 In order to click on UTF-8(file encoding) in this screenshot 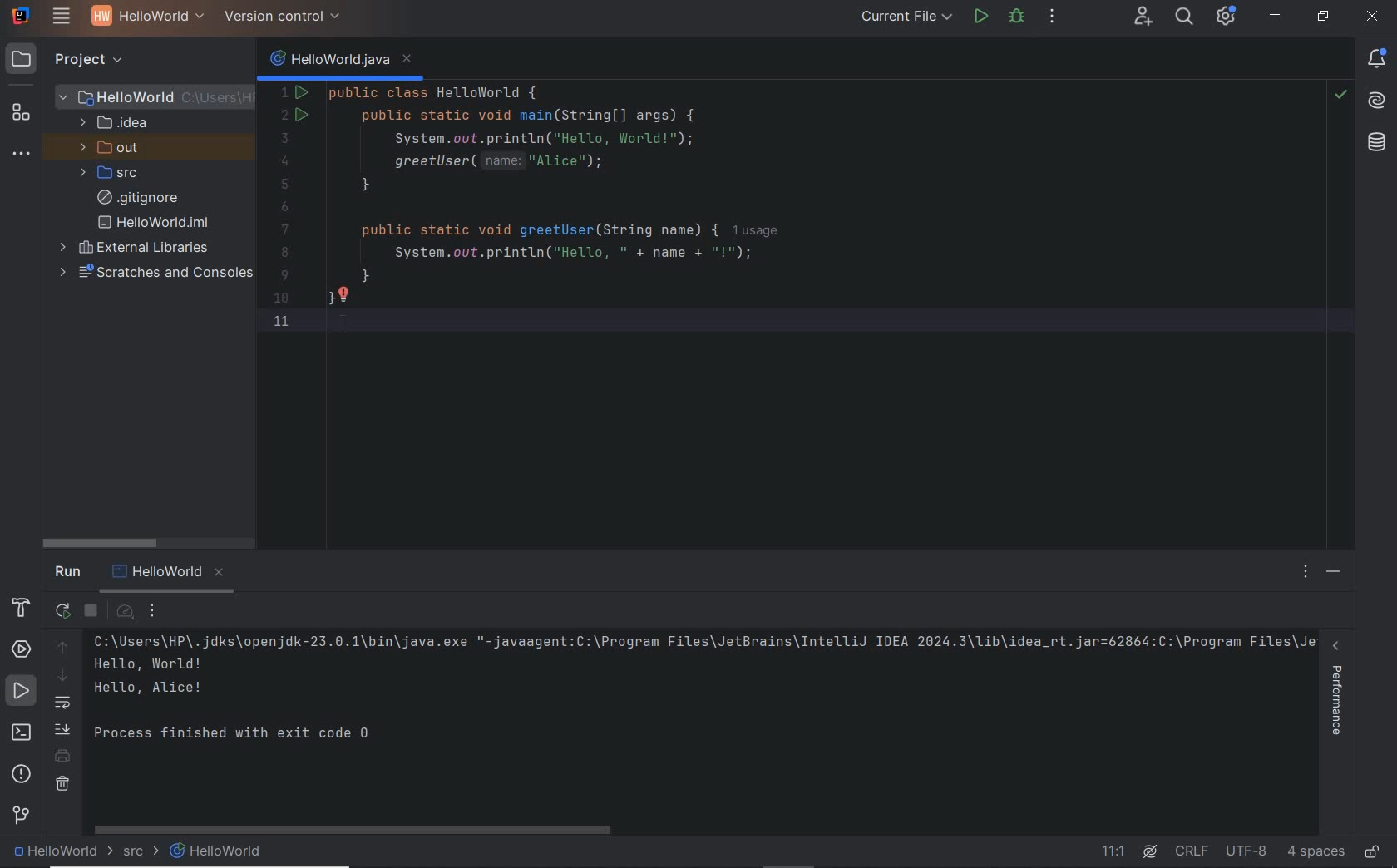, I will do `click(1250, 851)`.